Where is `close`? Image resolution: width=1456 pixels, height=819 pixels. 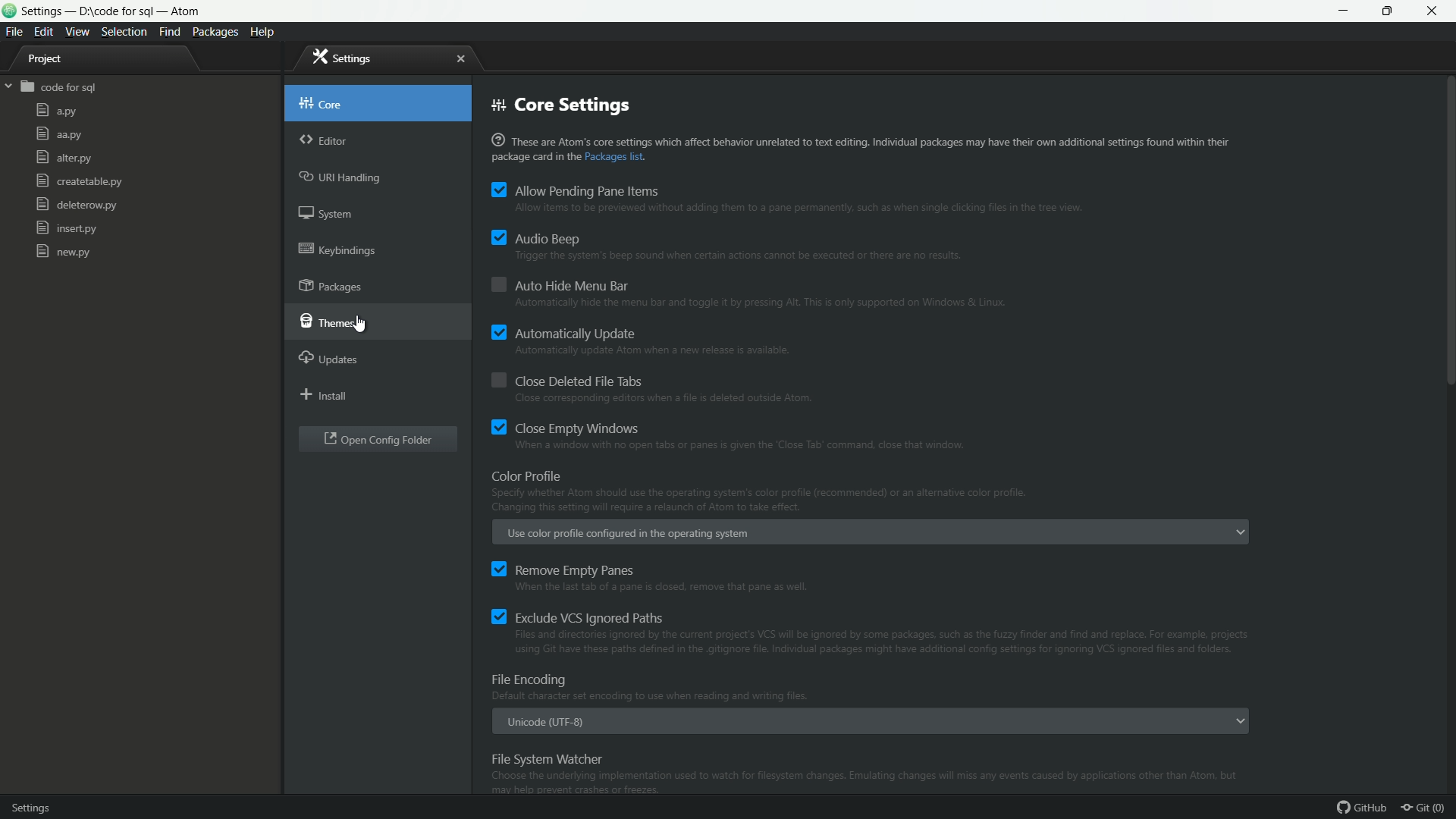
close is located at coordinates (460, 59).